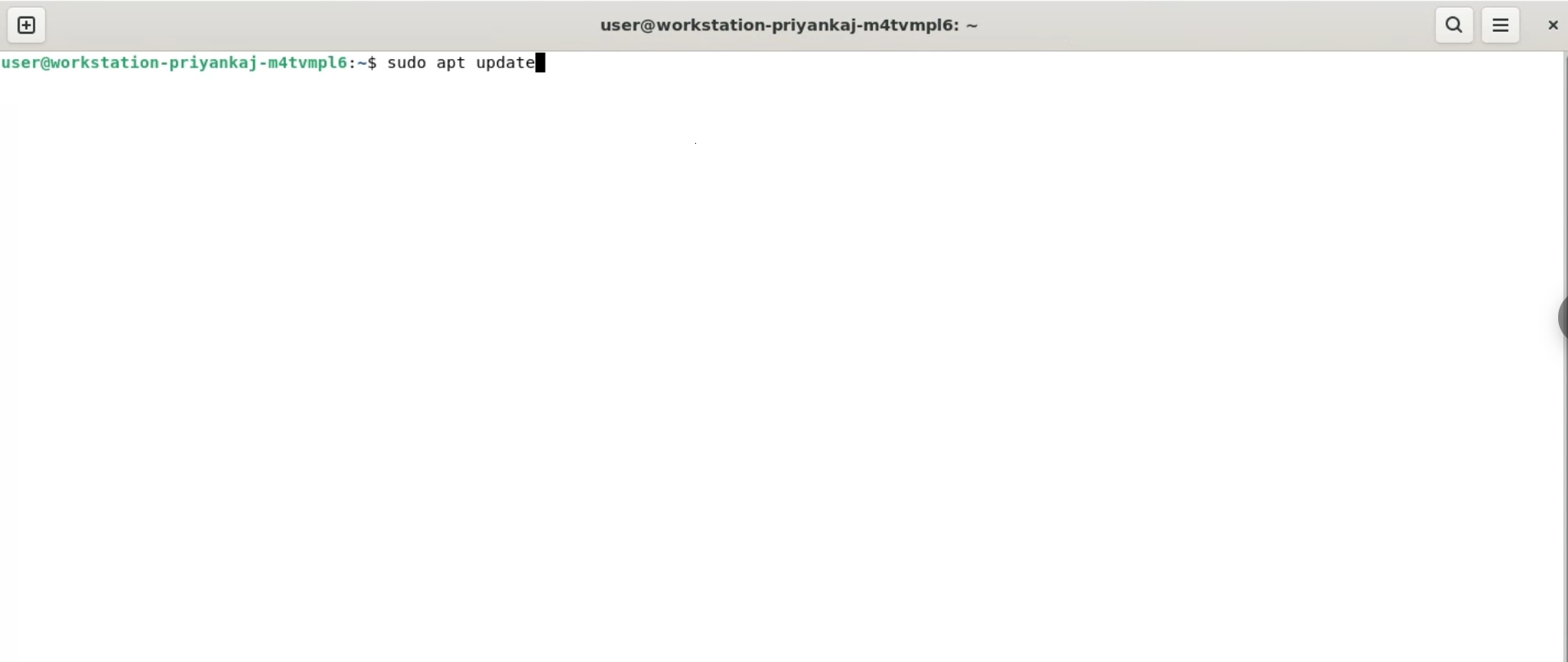 Image resolution: width=1568 pixels, height=662 pixels. I want to click on user@workstation-priyankaj-mdatvmplé6:~$, so click(192, 62).